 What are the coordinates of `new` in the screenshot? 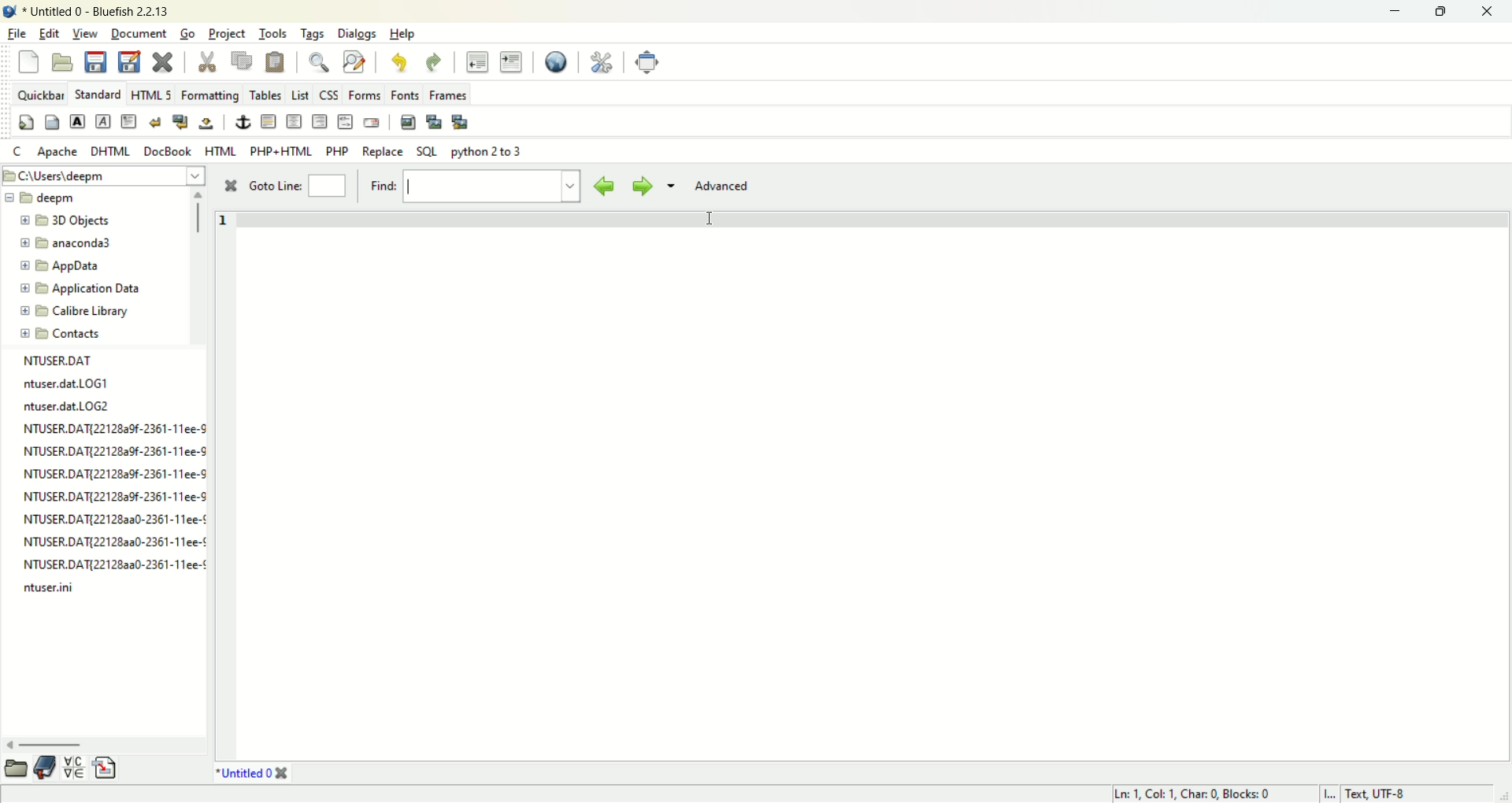 It's located at (31, 65).